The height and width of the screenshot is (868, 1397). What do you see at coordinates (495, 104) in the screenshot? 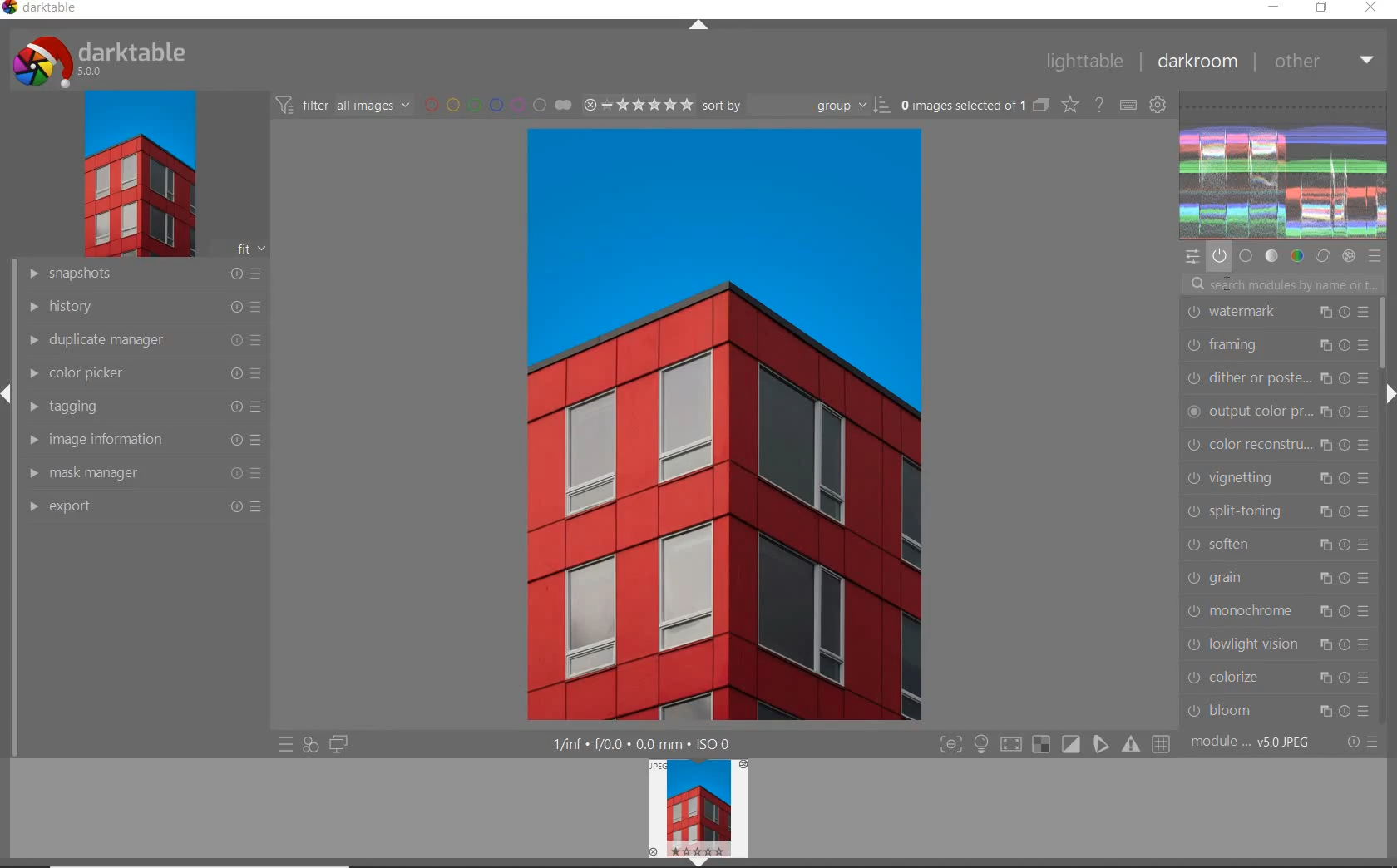
I see `filter by image color label` at bounding box center [495, 104].